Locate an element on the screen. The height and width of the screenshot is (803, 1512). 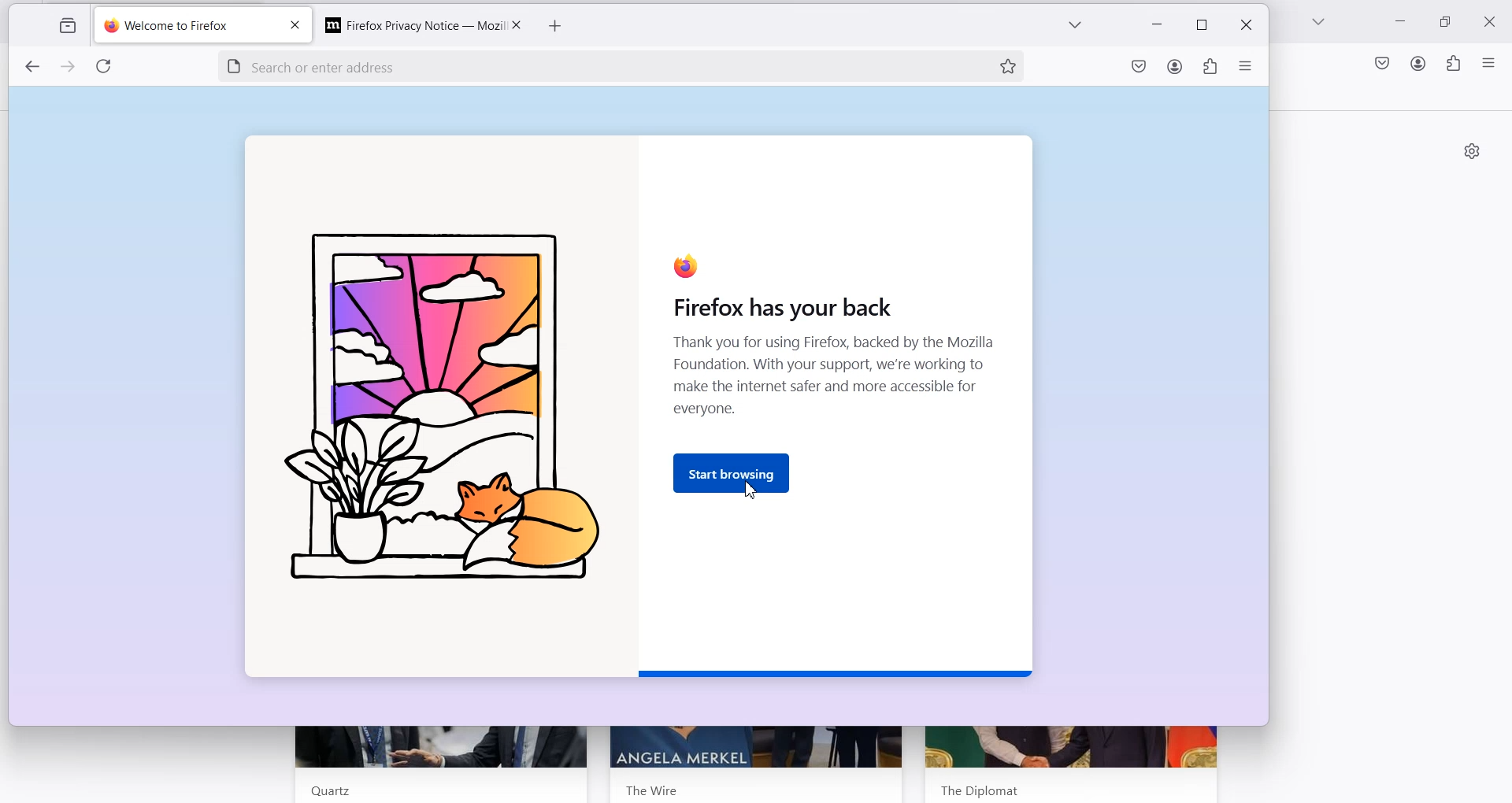
Minimize is located at coordinates (1402, 24).